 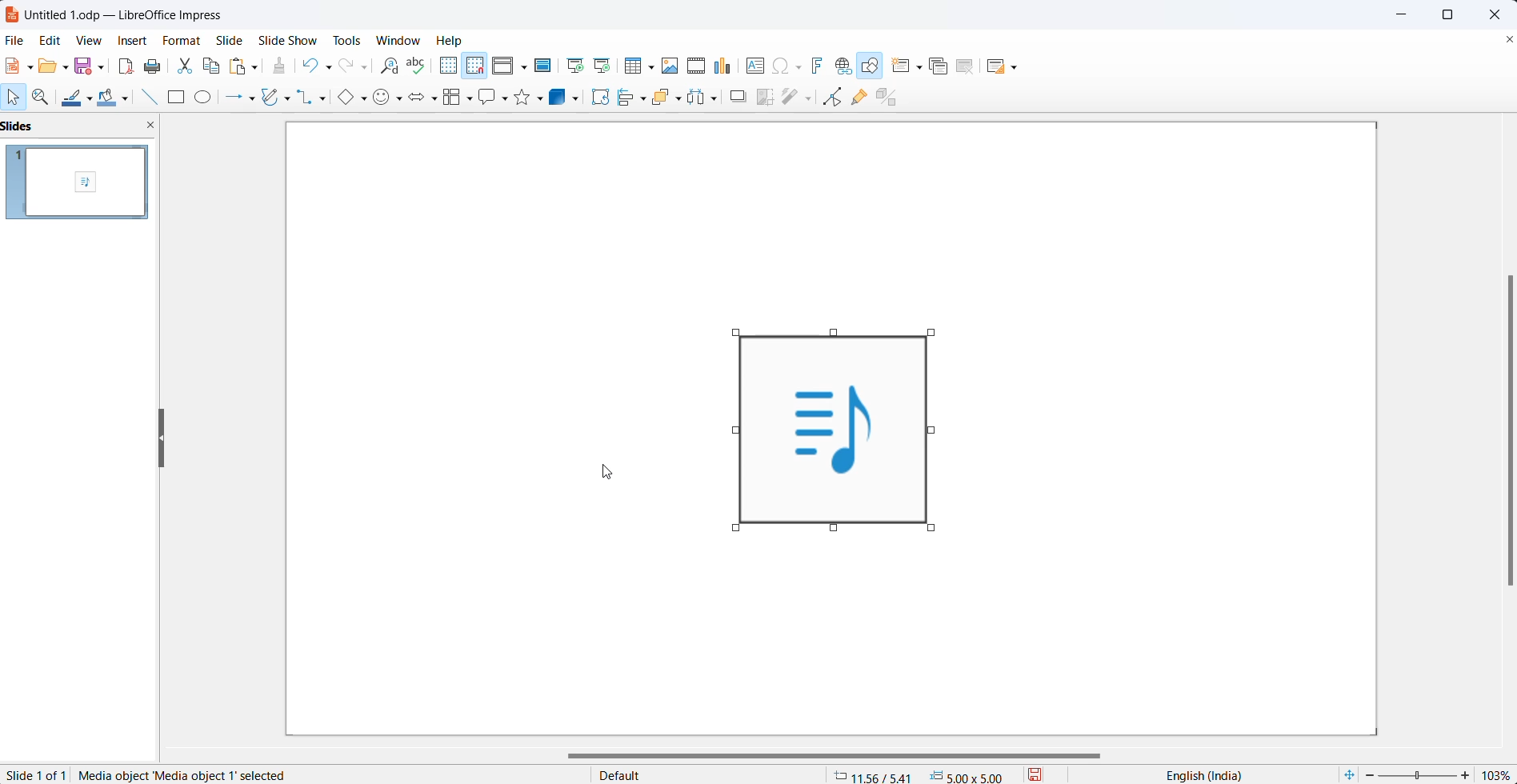 I want to click on insert fontwork, so click(x=821, y=64).